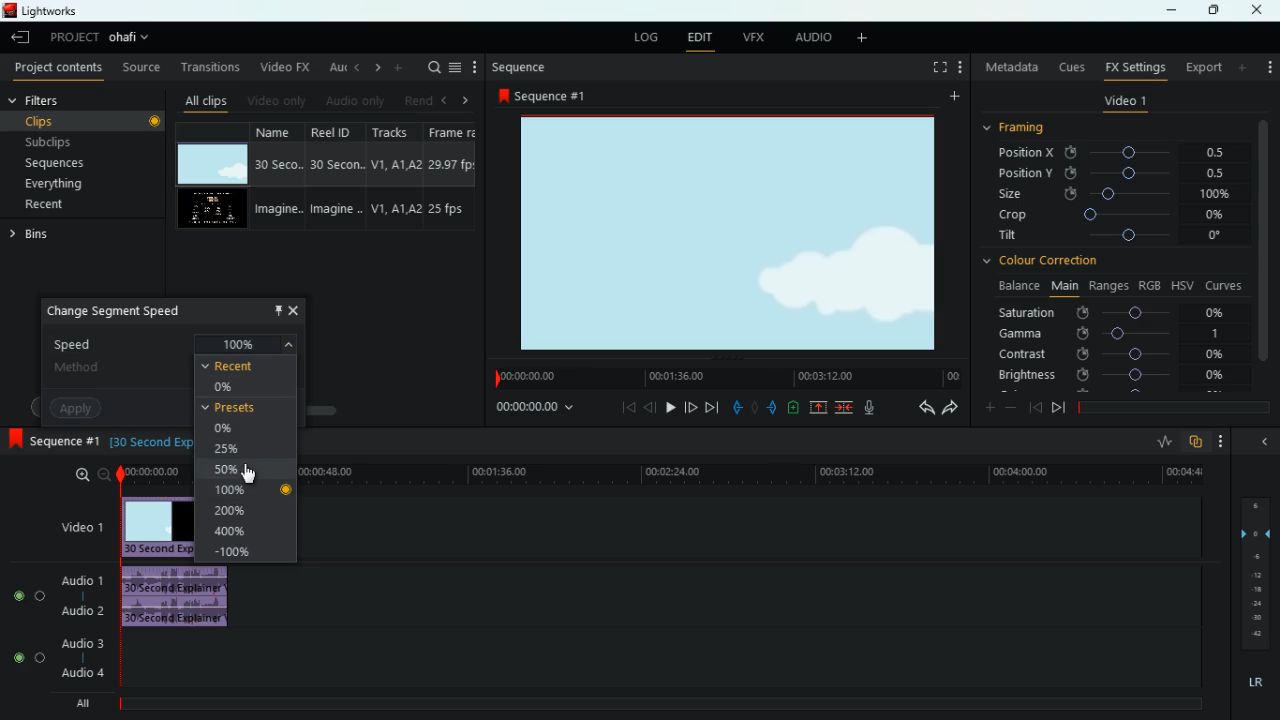 The image size is (1280, 720). I want to click on recent, so click(244, 366).